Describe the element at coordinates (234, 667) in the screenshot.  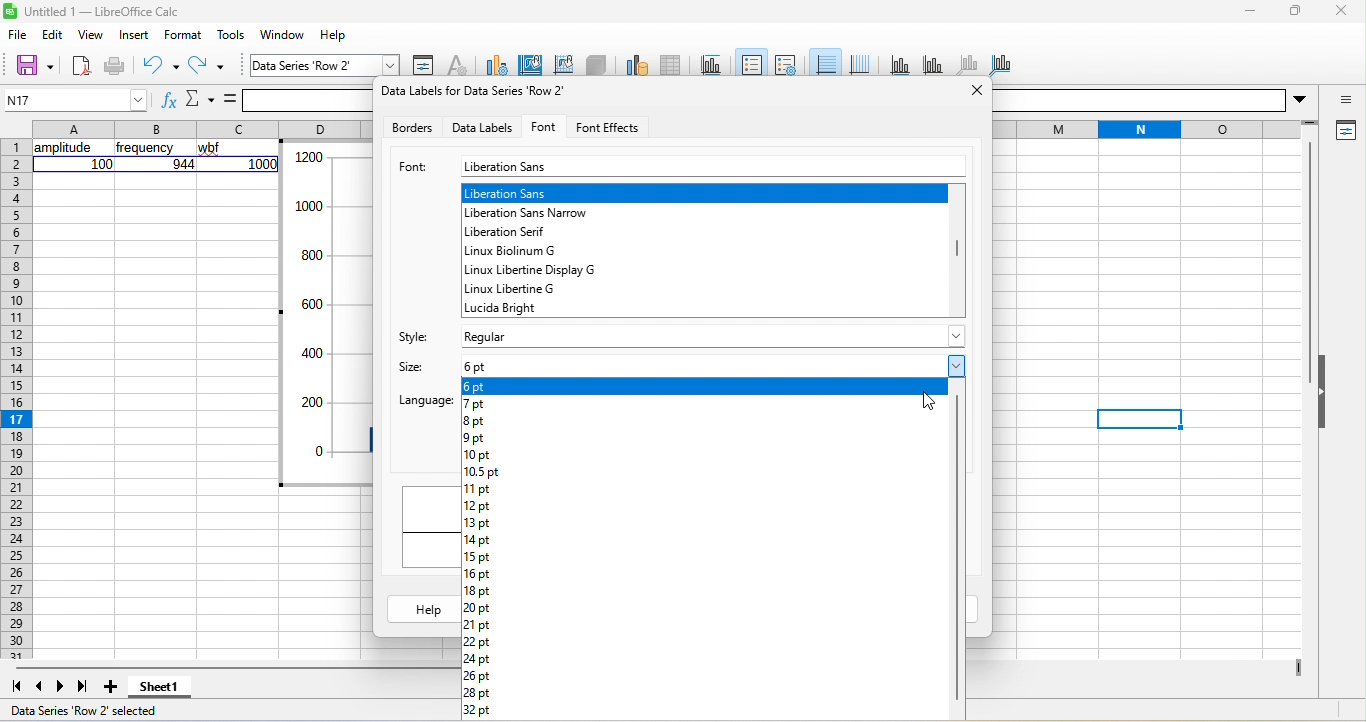
I see `horizontal scroll bar` at that location.